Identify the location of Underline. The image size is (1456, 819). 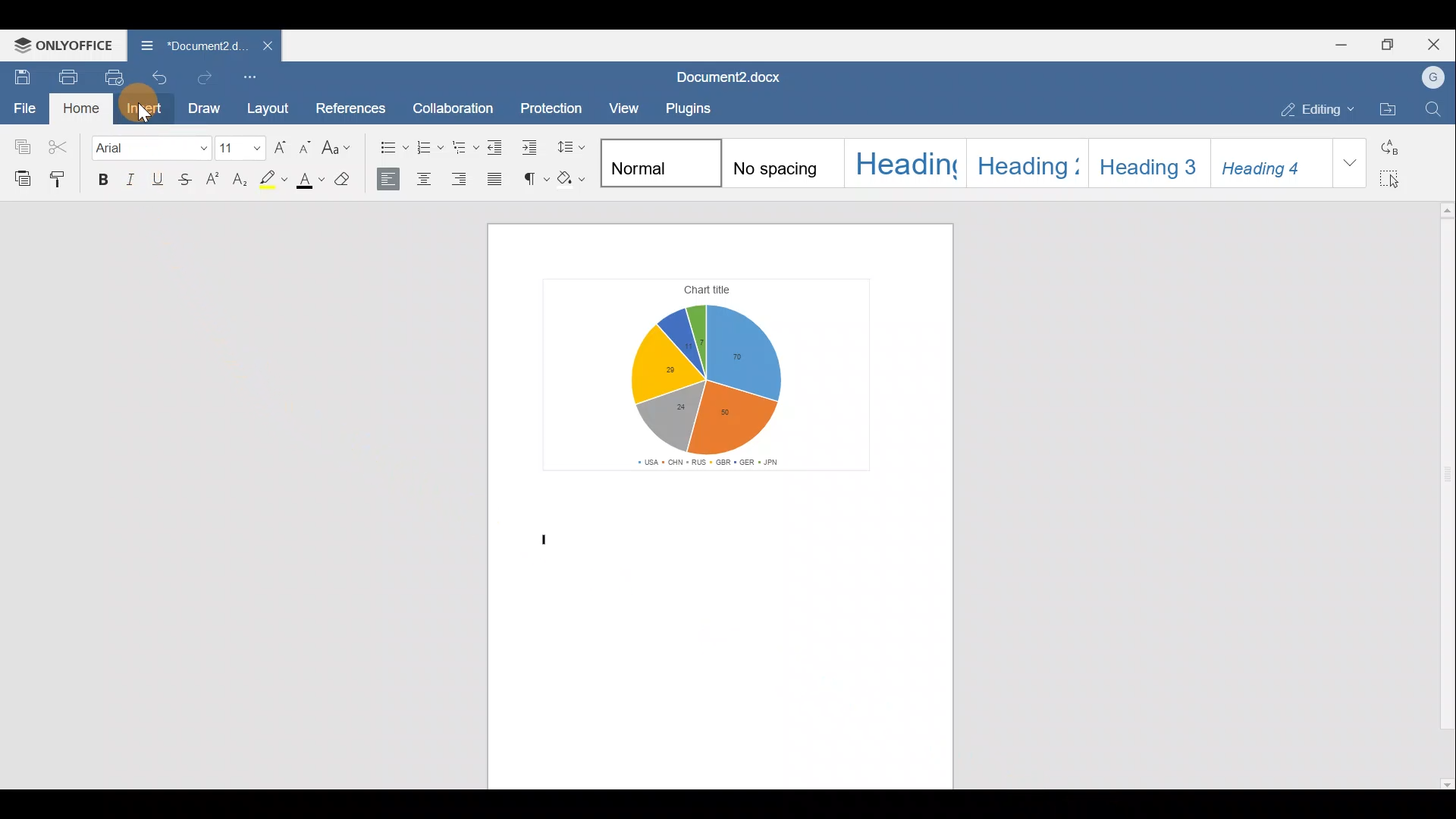
(164, 176).